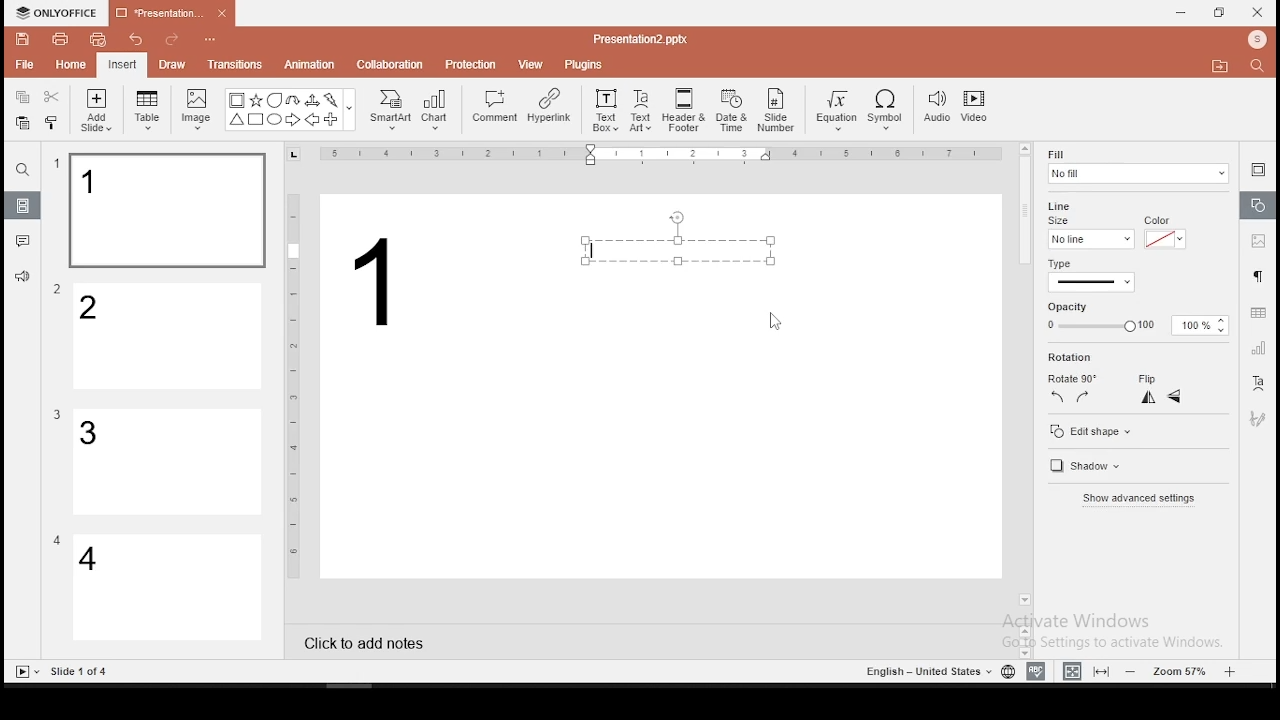 Image resolution: width=1280 pixels, height=720 pixels. What do you see at coordinates (98, 39) in the screenshot?
I see `quick print` at bounding box center [98, 39].